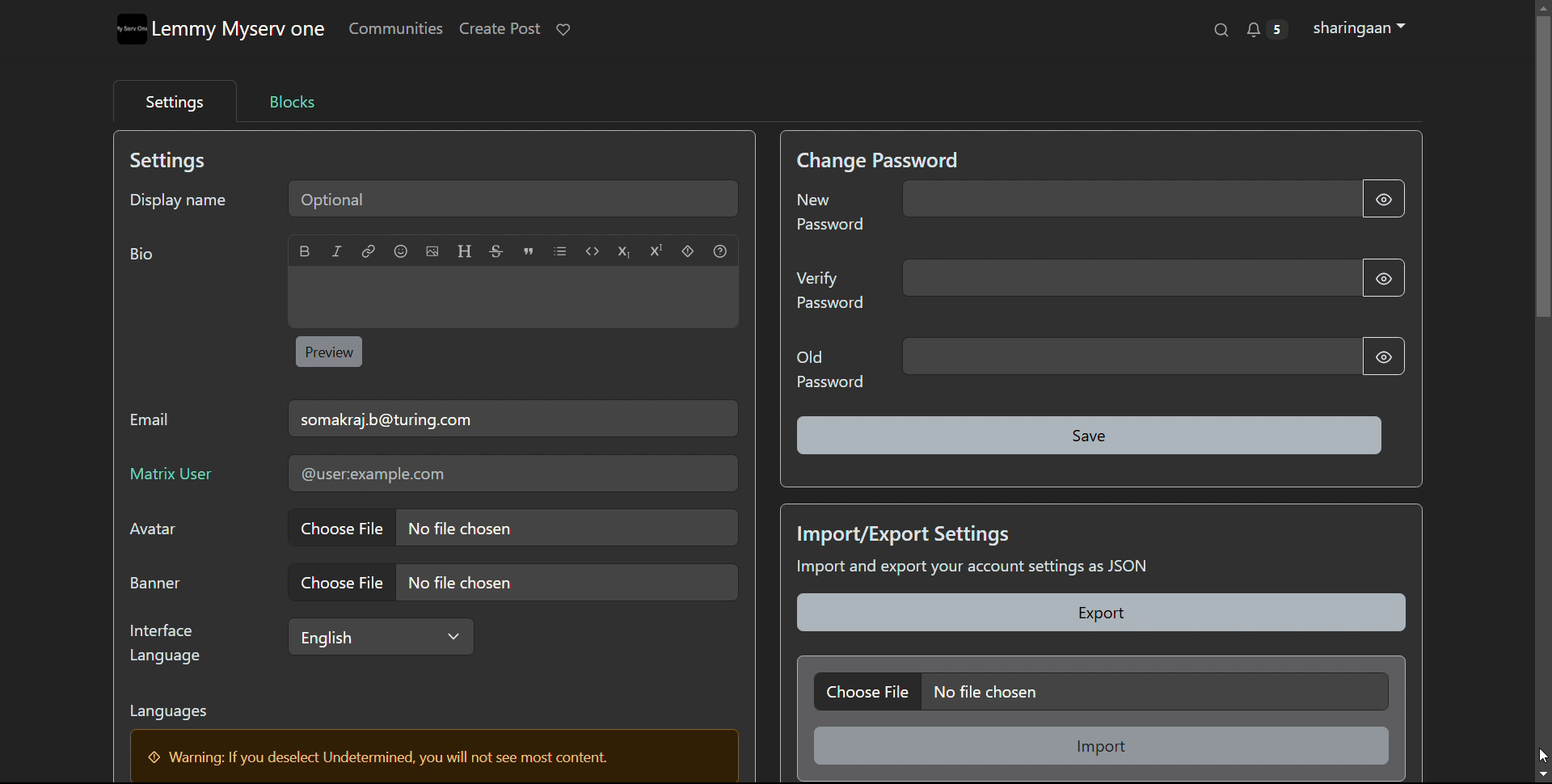 Image resolution: width=1552 pixels, height=784 pixels. Describe the element at coordinates (514, 418) in the screenshot. I see `email` at that location.